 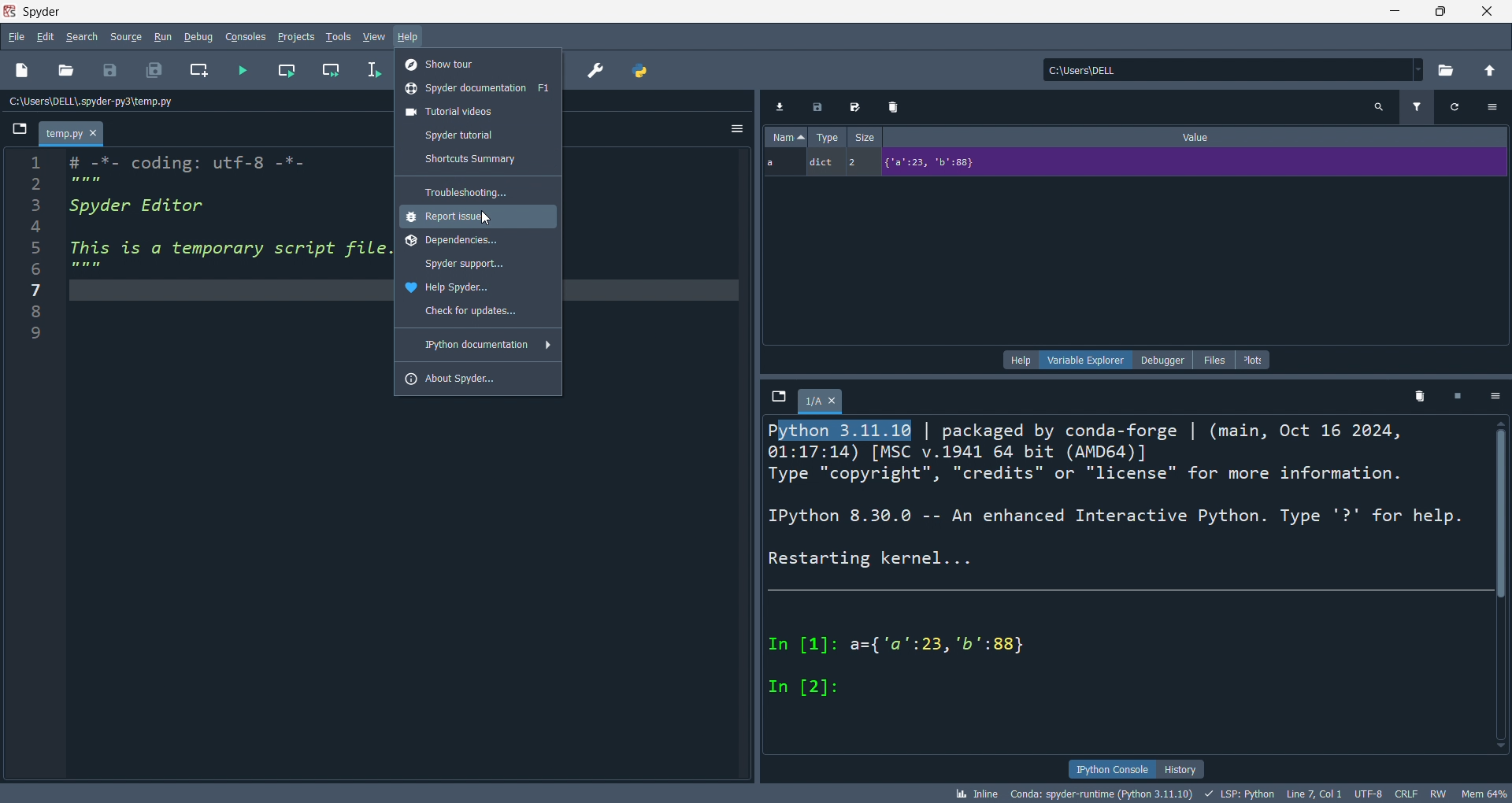 What do you see at coordinates (478, 160) in the screenshot?
I see `shortcuts summary` at bounding box center [478, 160].